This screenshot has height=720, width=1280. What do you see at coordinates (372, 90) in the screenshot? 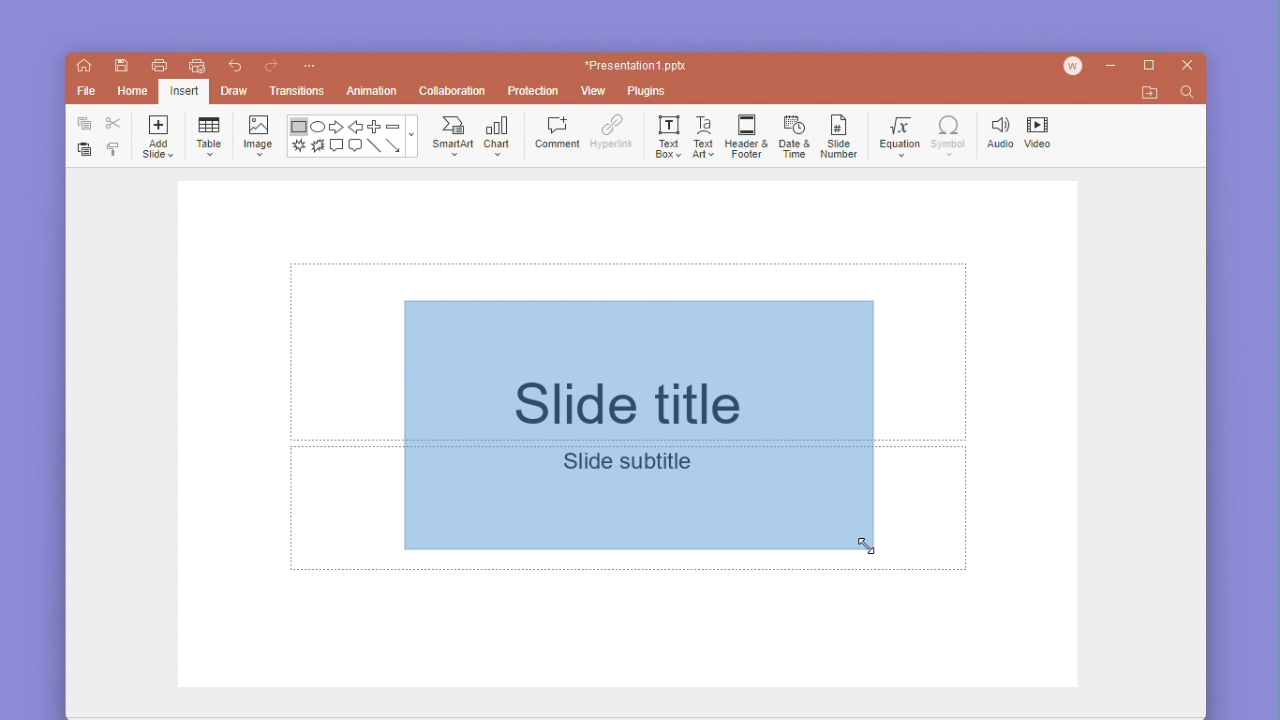
I see `animation` at bounding box center [372, 90].